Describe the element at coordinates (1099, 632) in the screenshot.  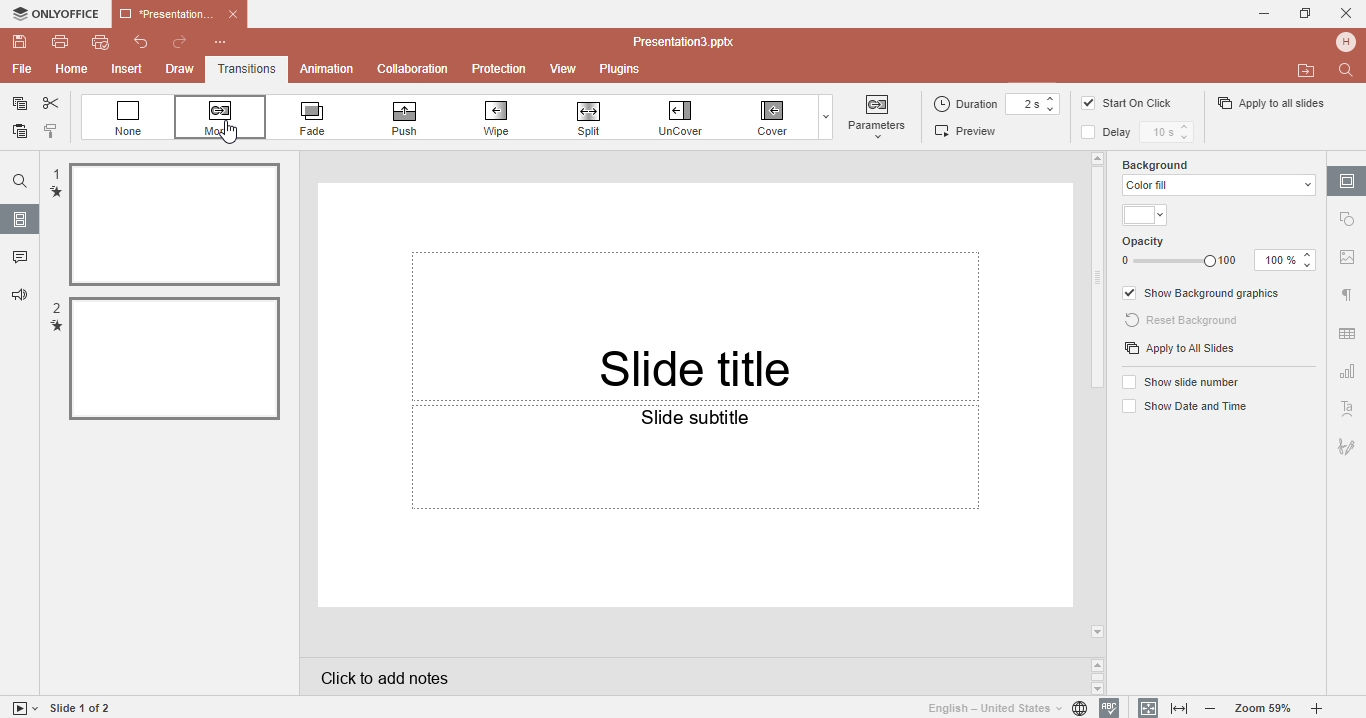
I see `arrow down` at that location.